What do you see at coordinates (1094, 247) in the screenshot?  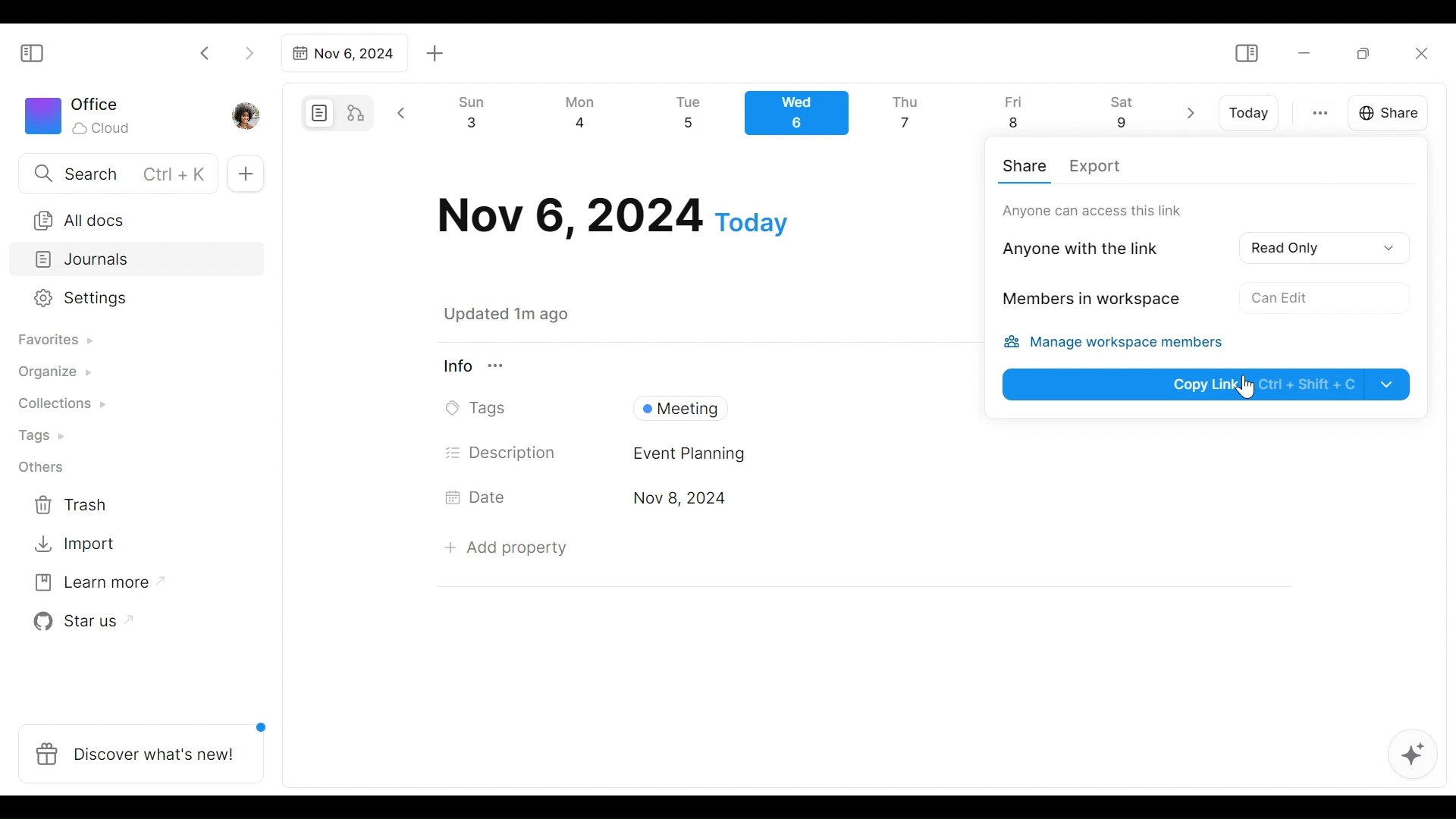 I see `Anyone with thelink` at bounding box center [1094, 247].